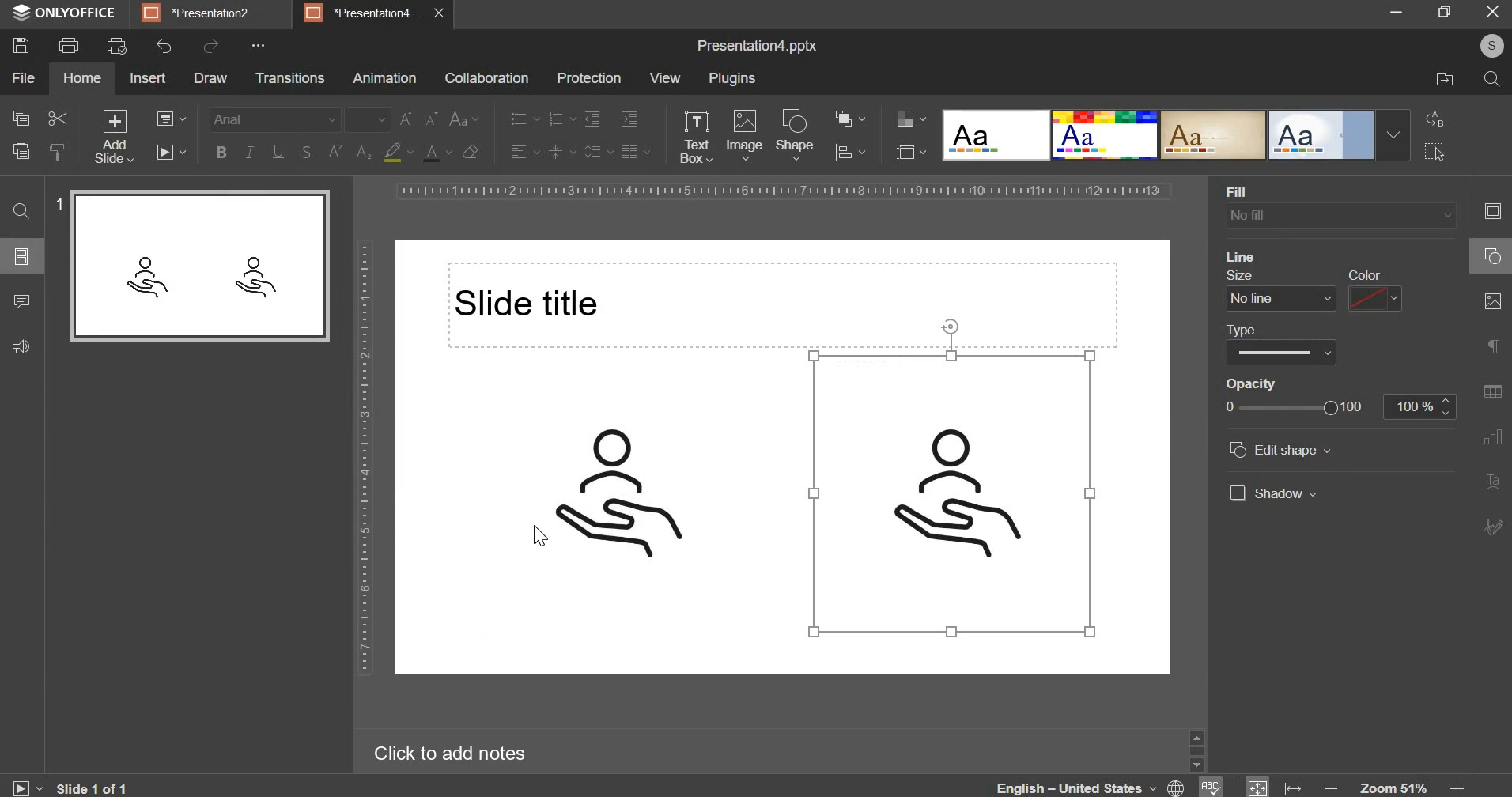 The height and width of the screenshot is (797, 1512). What do you see at coordinates (1489, 211) in the screenshot?
I see `slide setting` at bounding box center [1489, 211].